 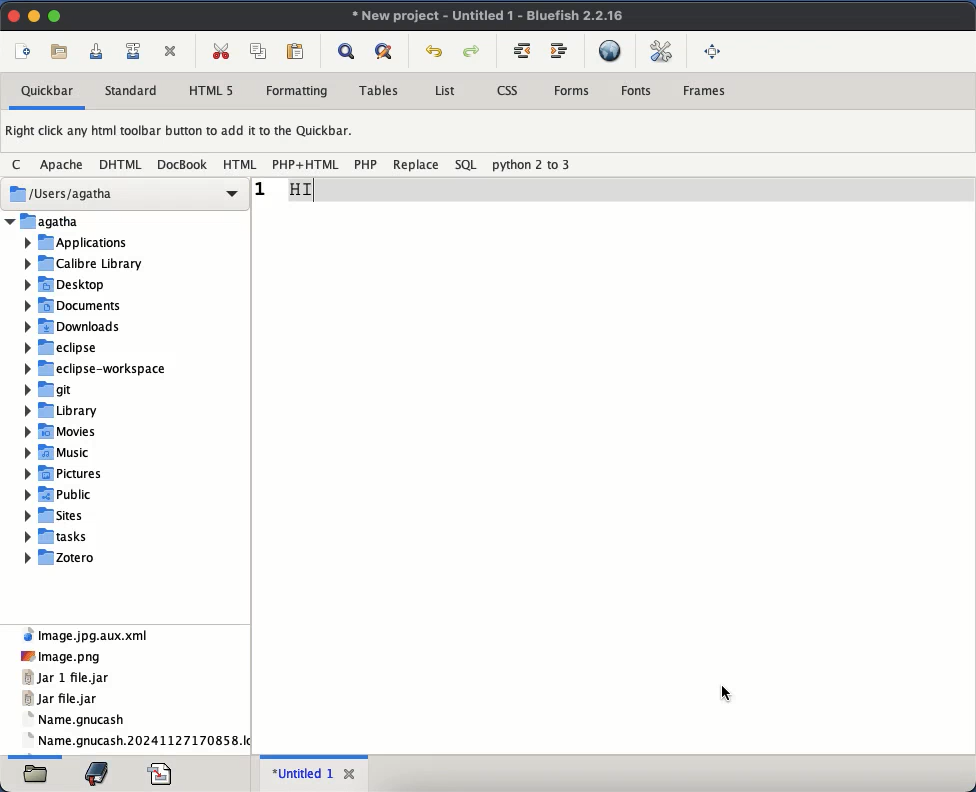 I want to click on Applications, so click(x=76, y=242).